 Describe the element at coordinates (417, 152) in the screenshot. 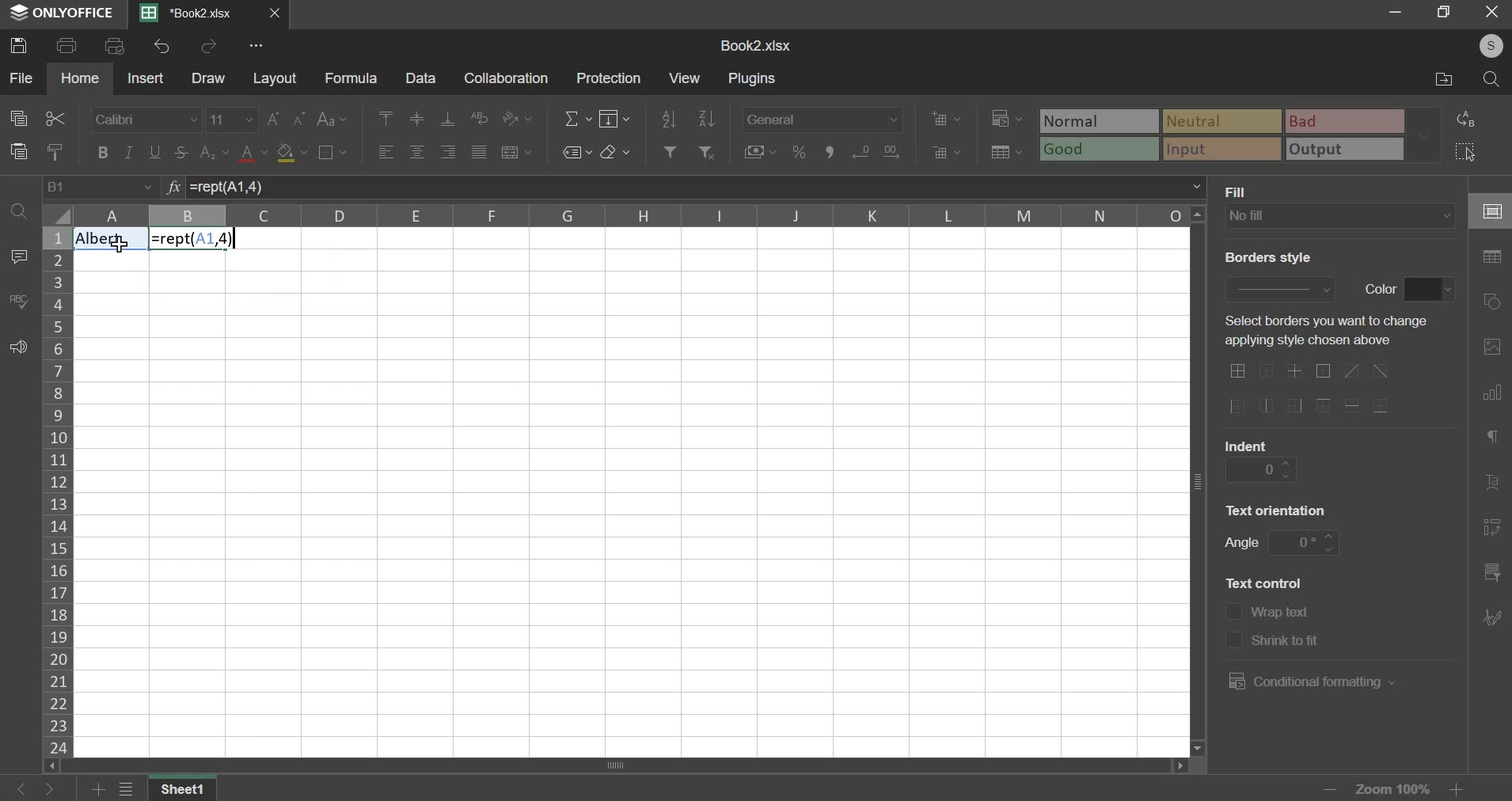

I see `horizontal alignment` at that location.